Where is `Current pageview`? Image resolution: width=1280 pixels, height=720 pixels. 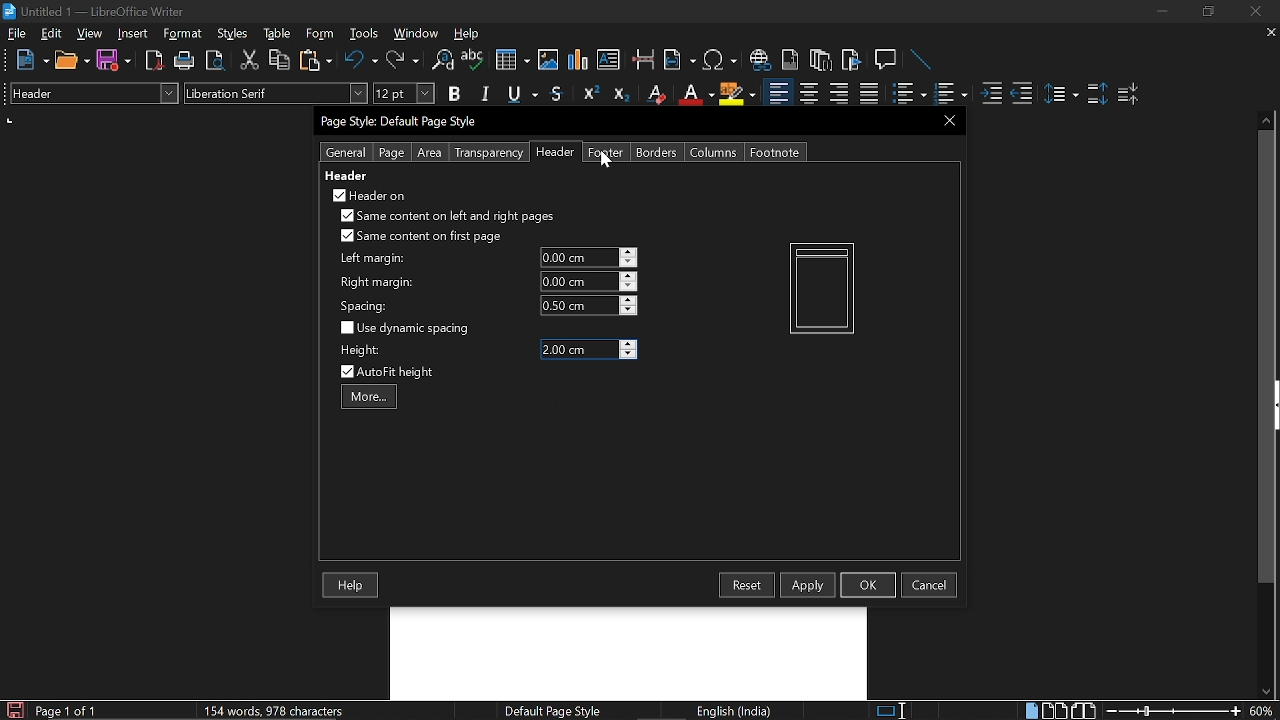
Current pageview is located at coordinates (822, 288).